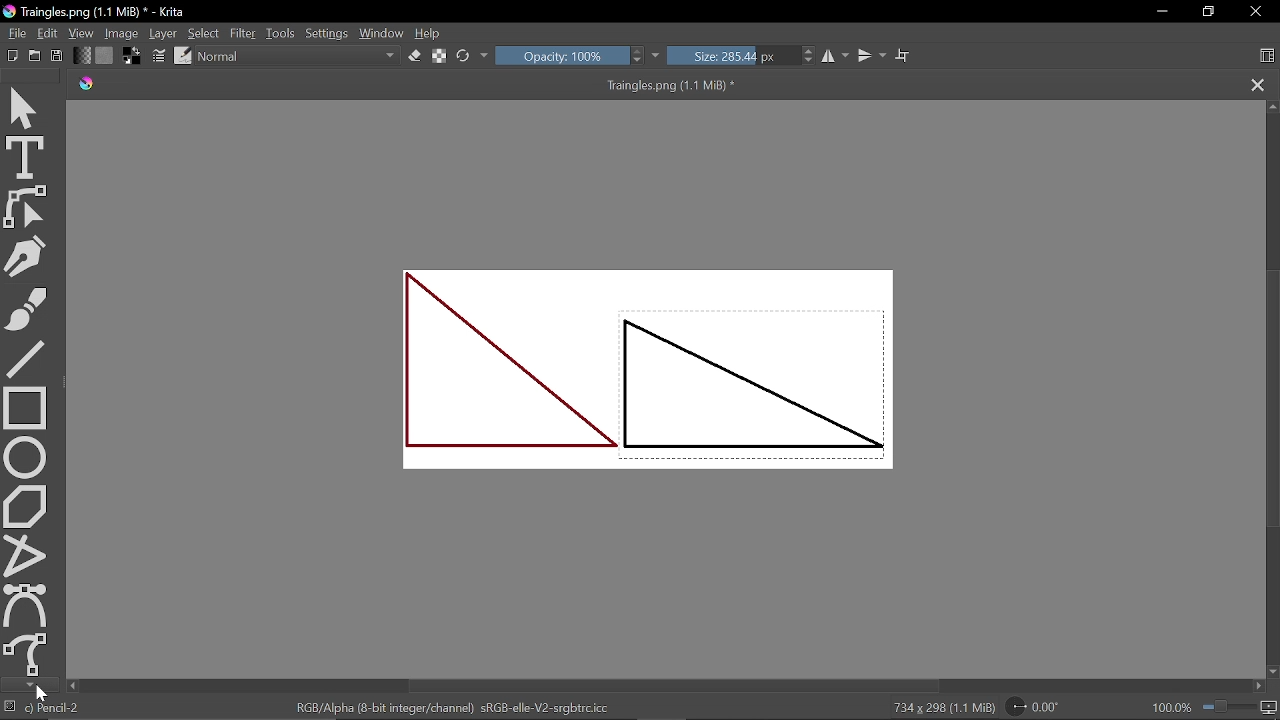 Image resolution: width=1280 pixels, height=720 pixels. Describe the element at coordinates (26, 685) in the screenshot. I see `Move down in tools` at that location.